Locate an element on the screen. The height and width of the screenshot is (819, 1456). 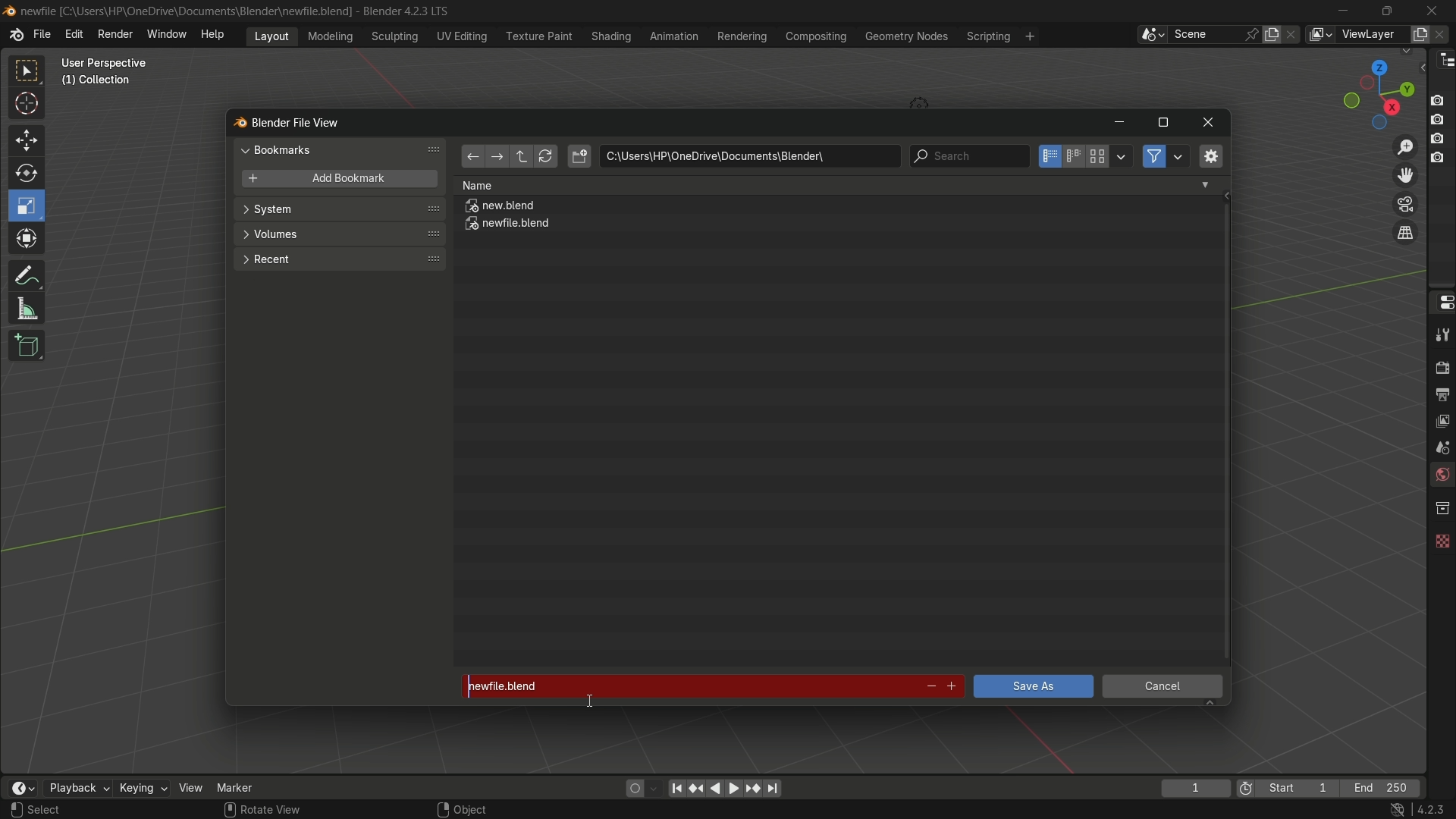
properties is located at coordinates (1441, 301).